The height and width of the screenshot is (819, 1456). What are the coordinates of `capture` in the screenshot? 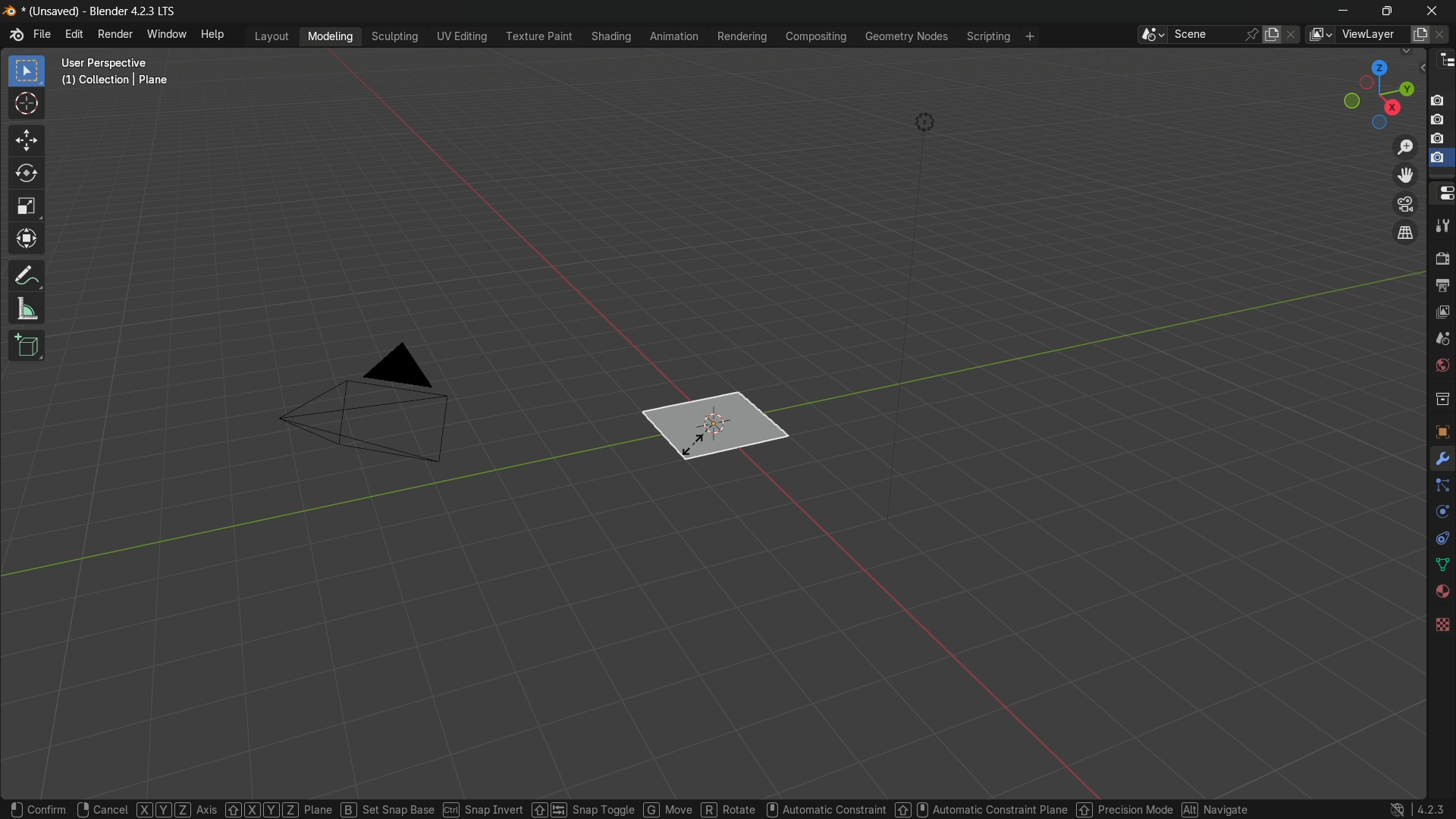 It's located at (1439, 138).